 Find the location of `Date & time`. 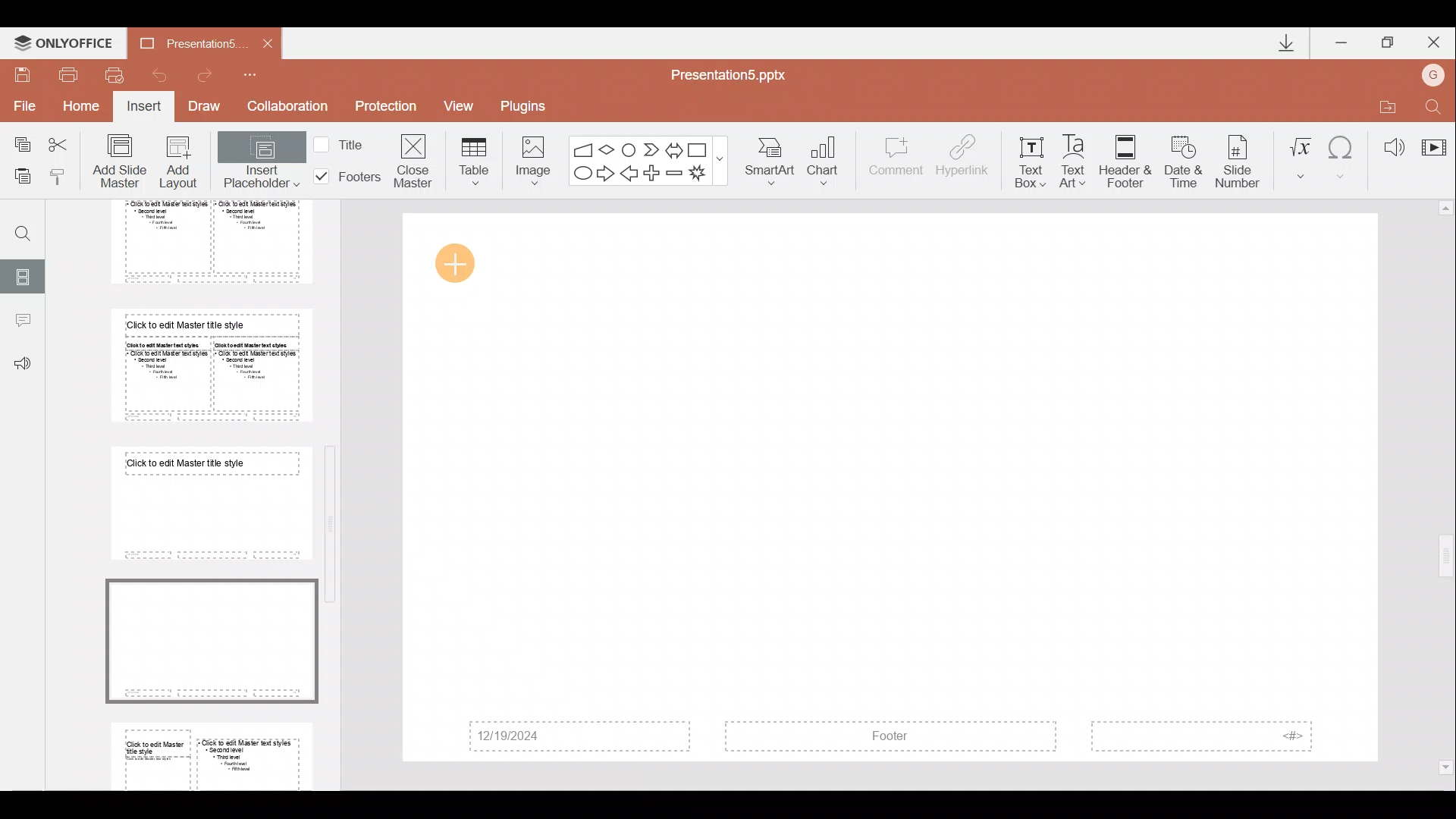

Date & time is located at coordinates (1180, 158).